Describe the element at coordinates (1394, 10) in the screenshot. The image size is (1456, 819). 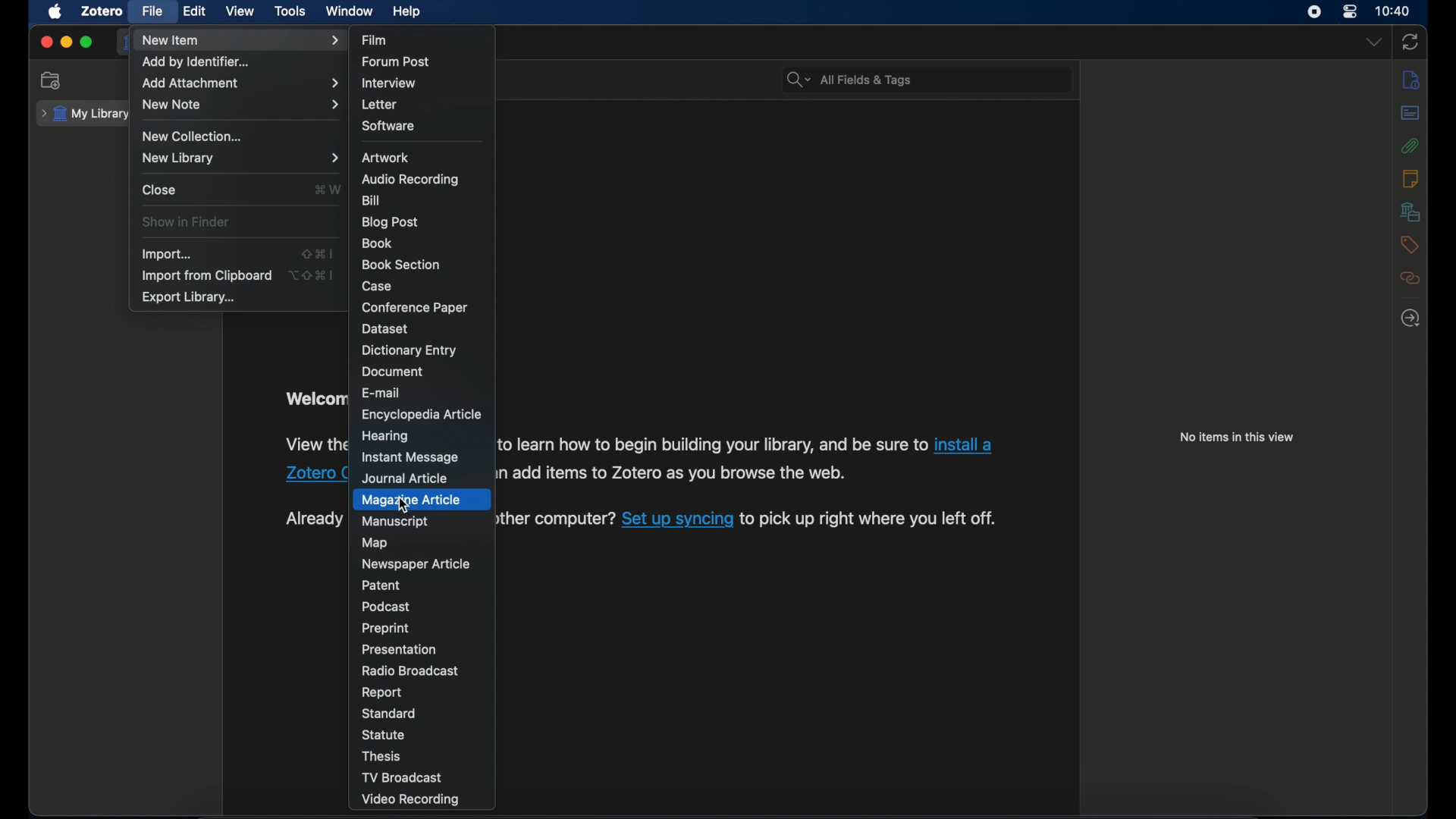
I see `time` at that location.